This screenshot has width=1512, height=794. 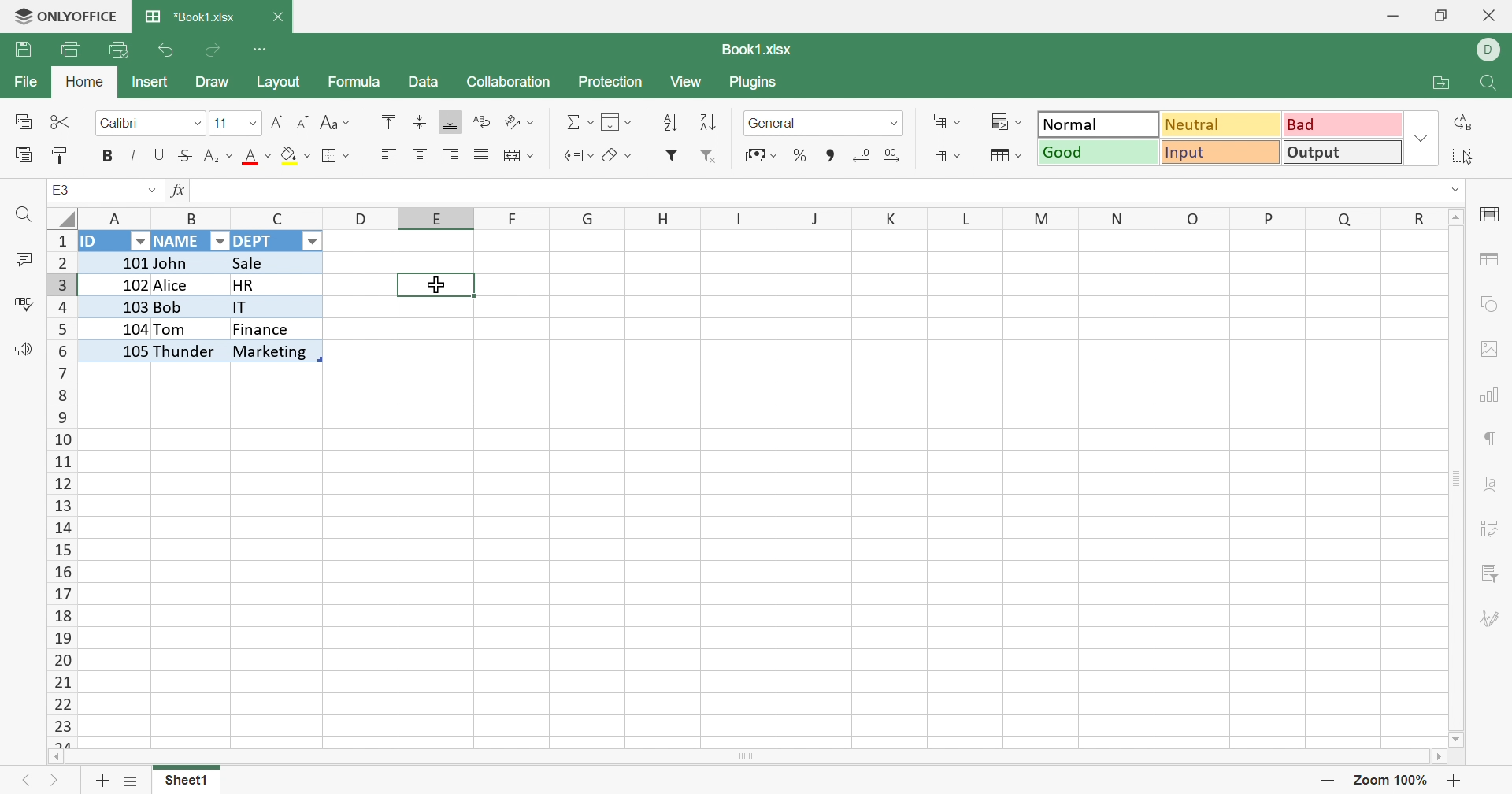 I want to click on table settings, so click(x=1490, y=260).